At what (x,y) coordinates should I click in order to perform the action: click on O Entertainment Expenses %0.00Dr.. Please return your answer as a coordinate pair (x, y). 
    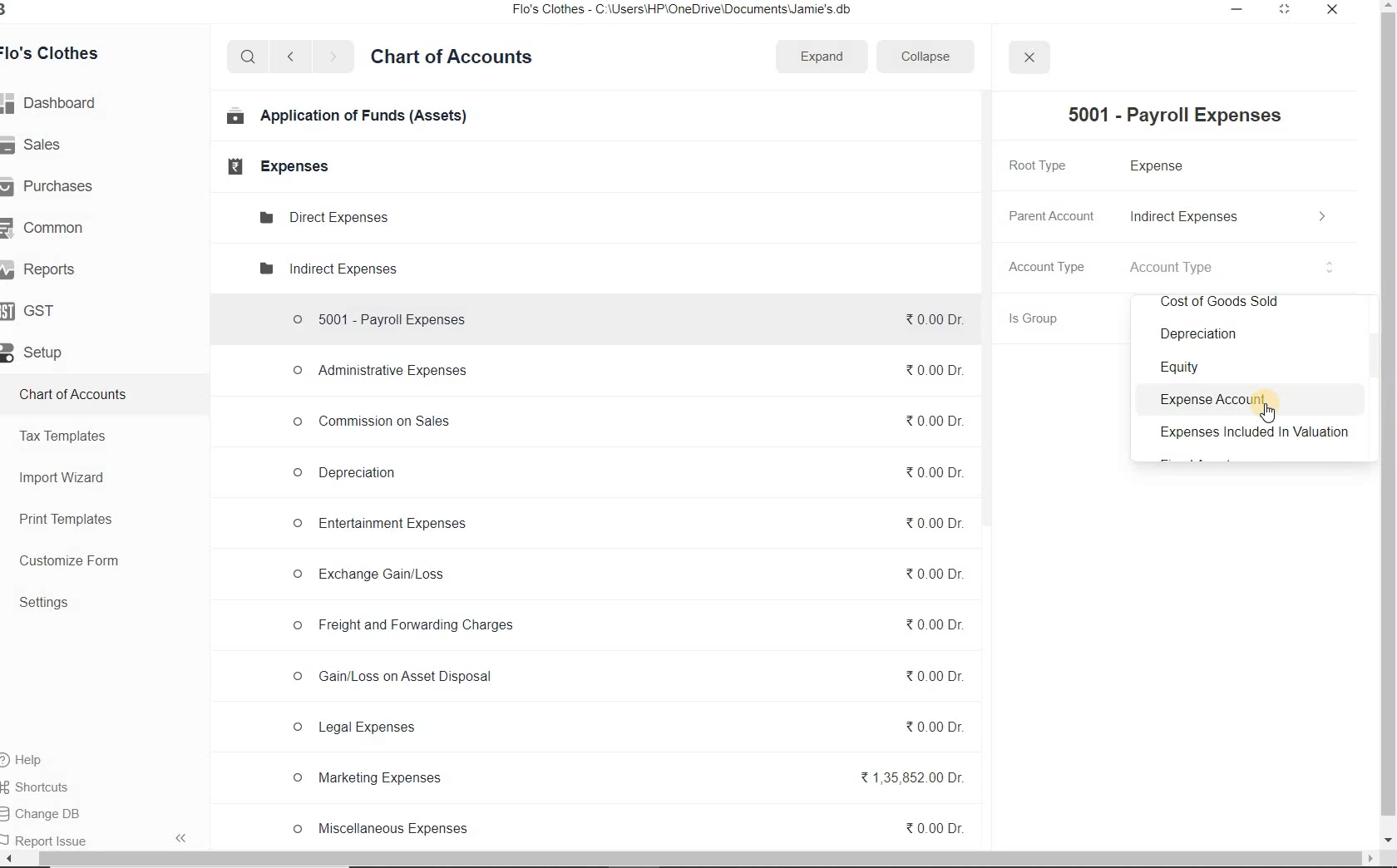
    Looking at the image, I should click on (629, 527).